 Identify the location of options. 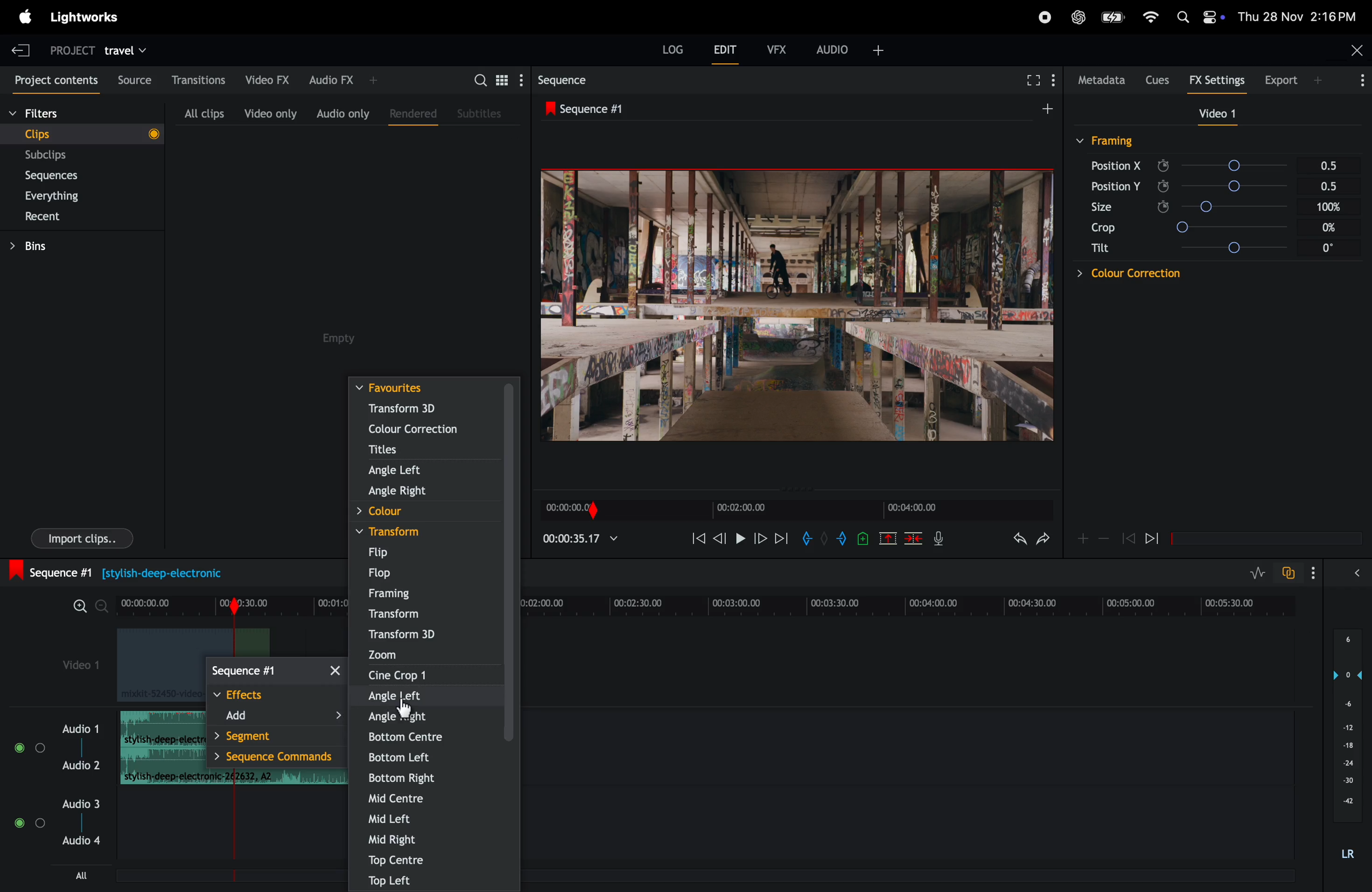
(1354, 82).